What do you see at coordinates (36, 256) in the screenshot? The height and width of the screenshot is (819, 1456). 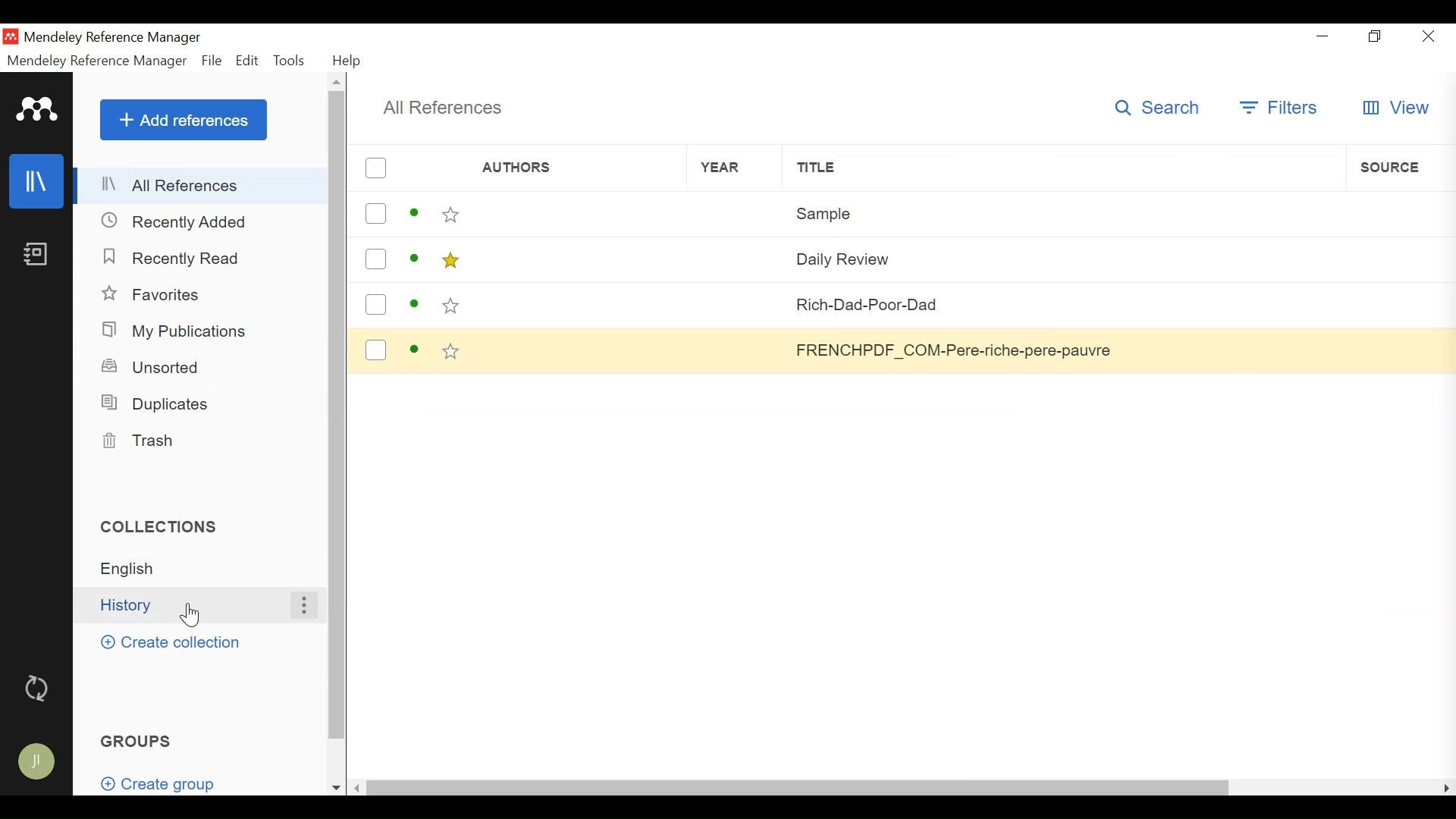 I see `Notebook` at bounding box center [36, 256].